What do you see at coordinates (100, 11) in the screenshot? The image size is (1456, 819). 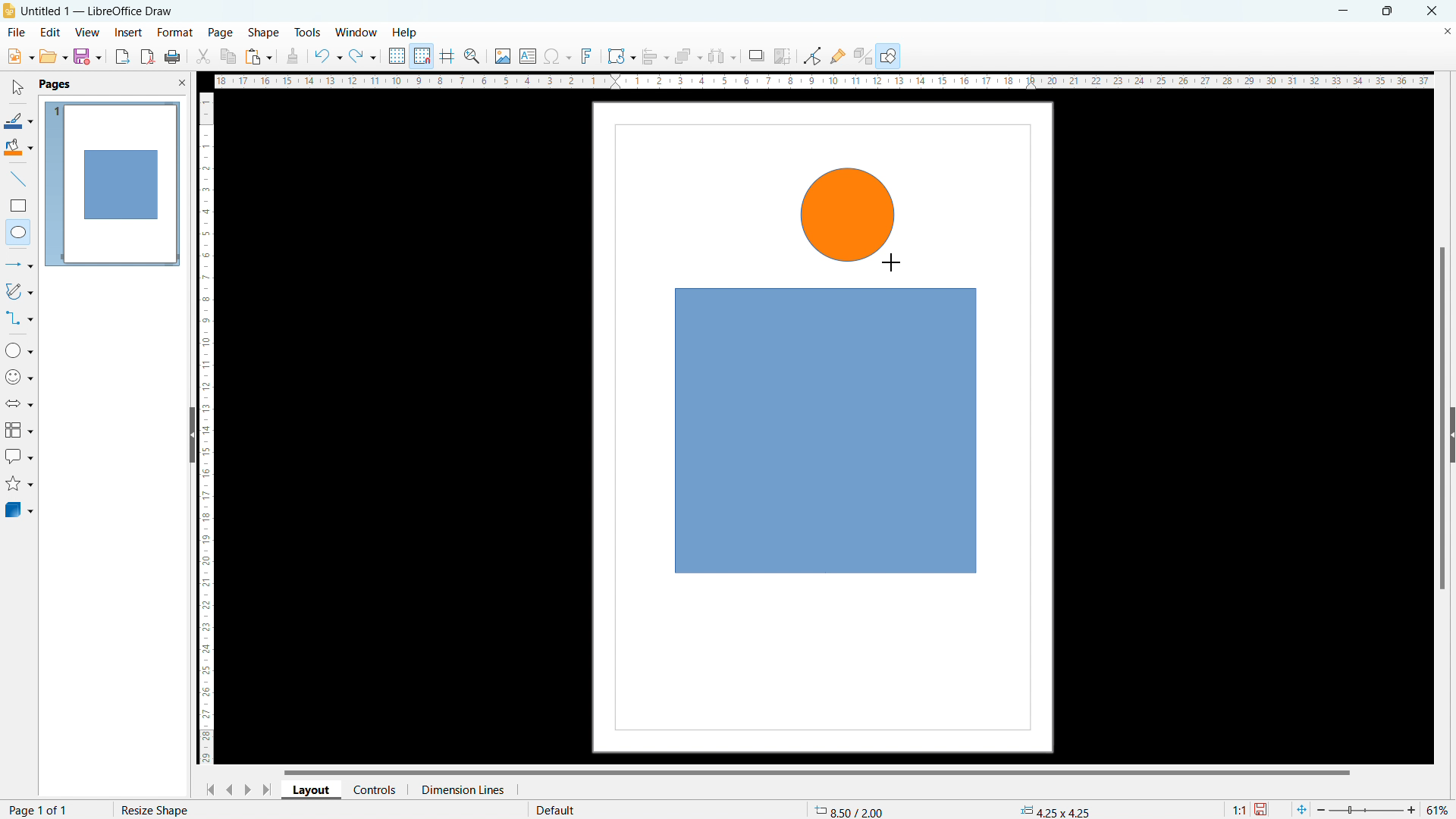 I see `document title` at bounding box center [100, 11].